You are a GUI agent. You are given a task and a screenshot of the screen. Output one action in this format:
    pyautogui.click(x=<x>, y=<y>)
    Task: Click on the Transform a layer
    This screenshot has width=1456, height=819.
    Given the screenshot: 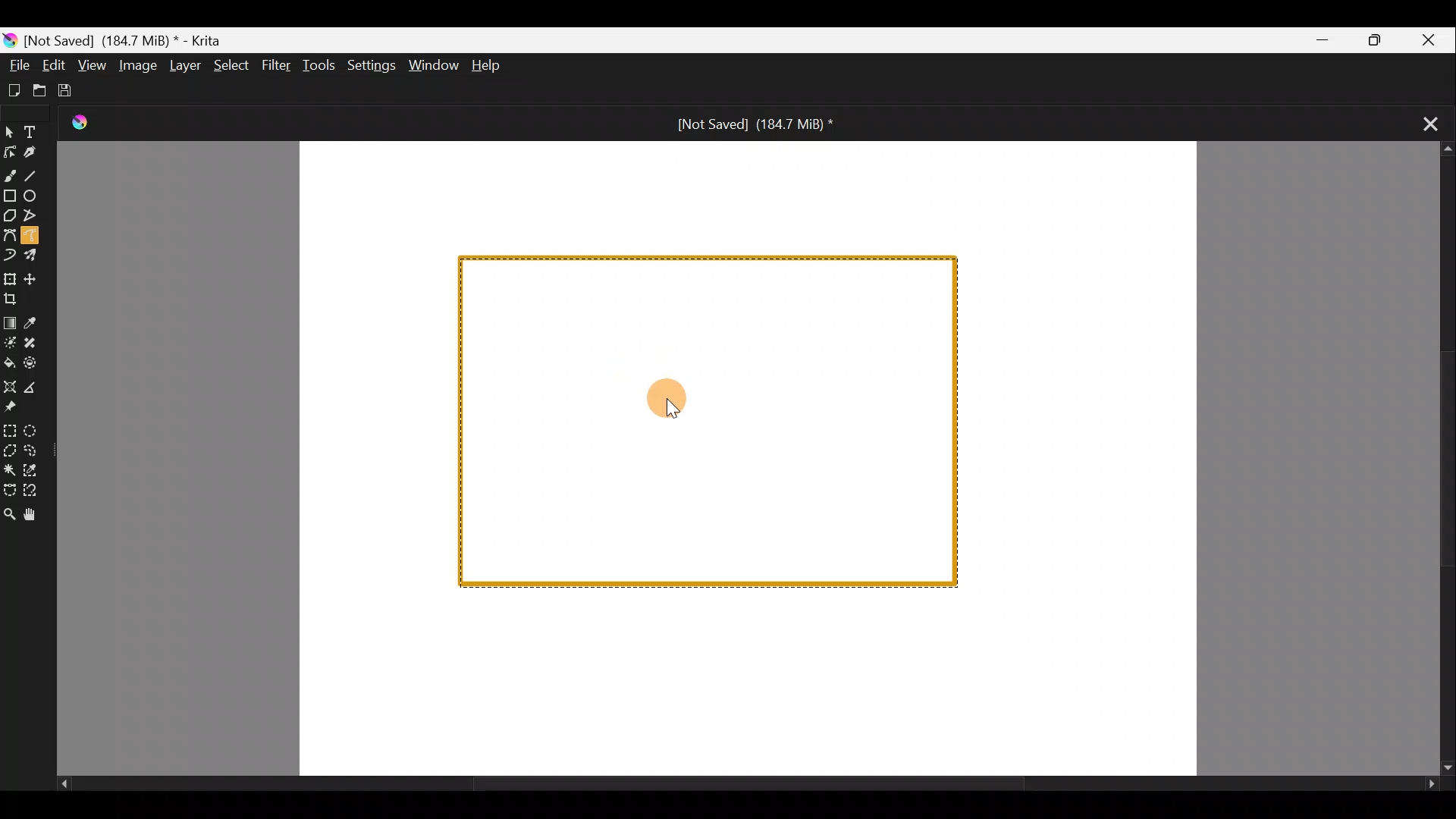 What is the action you would take?
    pyautogui.click(x=9, y=280)
    